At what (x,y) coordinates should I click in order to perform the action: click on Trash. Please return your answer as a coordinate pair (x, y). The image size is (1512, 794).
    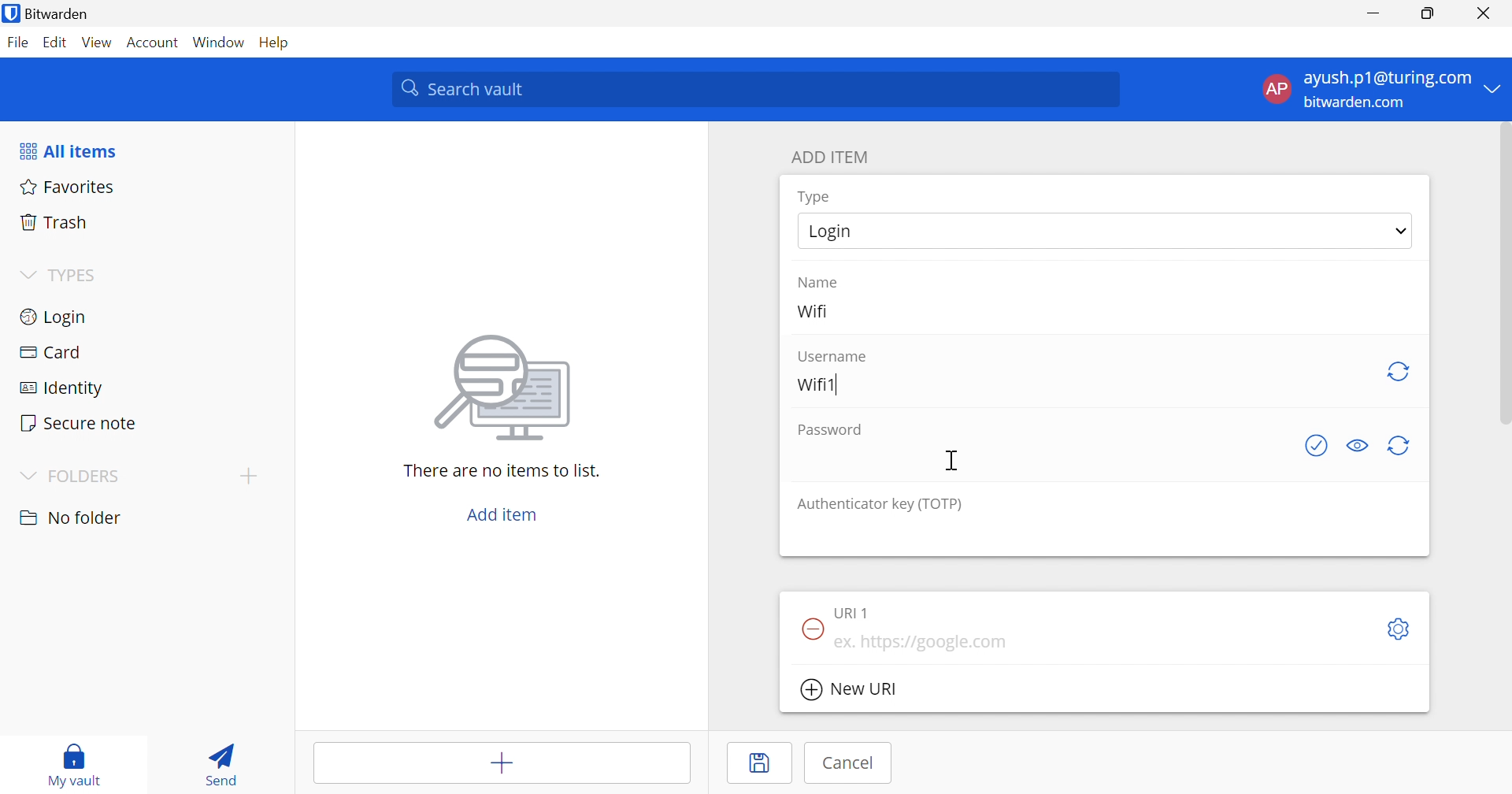
    Looking at the image, I should click on (54, 220).